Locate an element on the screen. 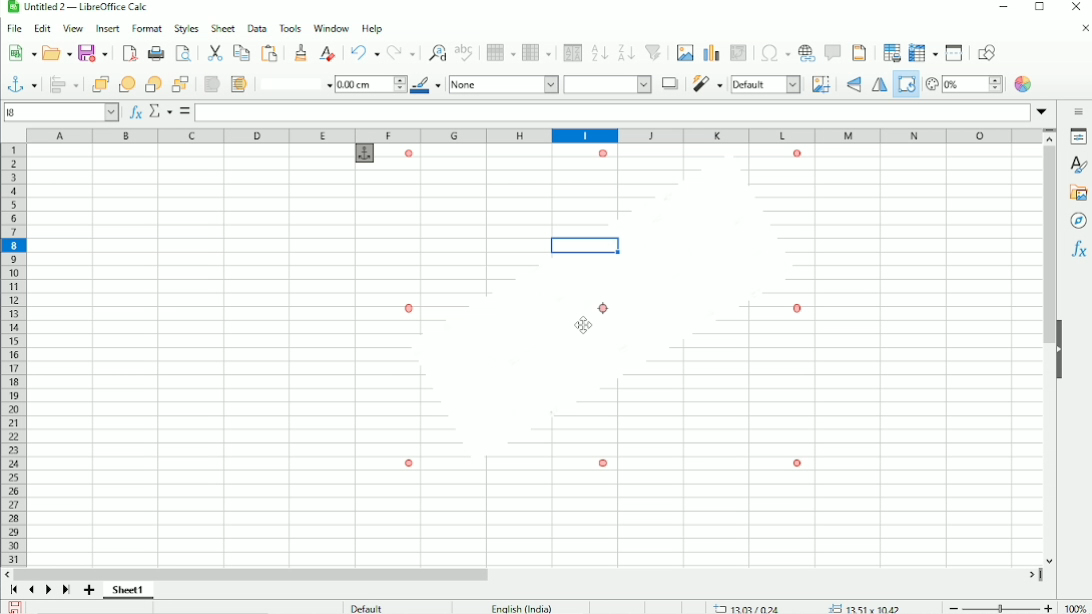 The width and height of the screenshot is (1092, 614). Scroll to first sheet is located at coordinates (13, 591).